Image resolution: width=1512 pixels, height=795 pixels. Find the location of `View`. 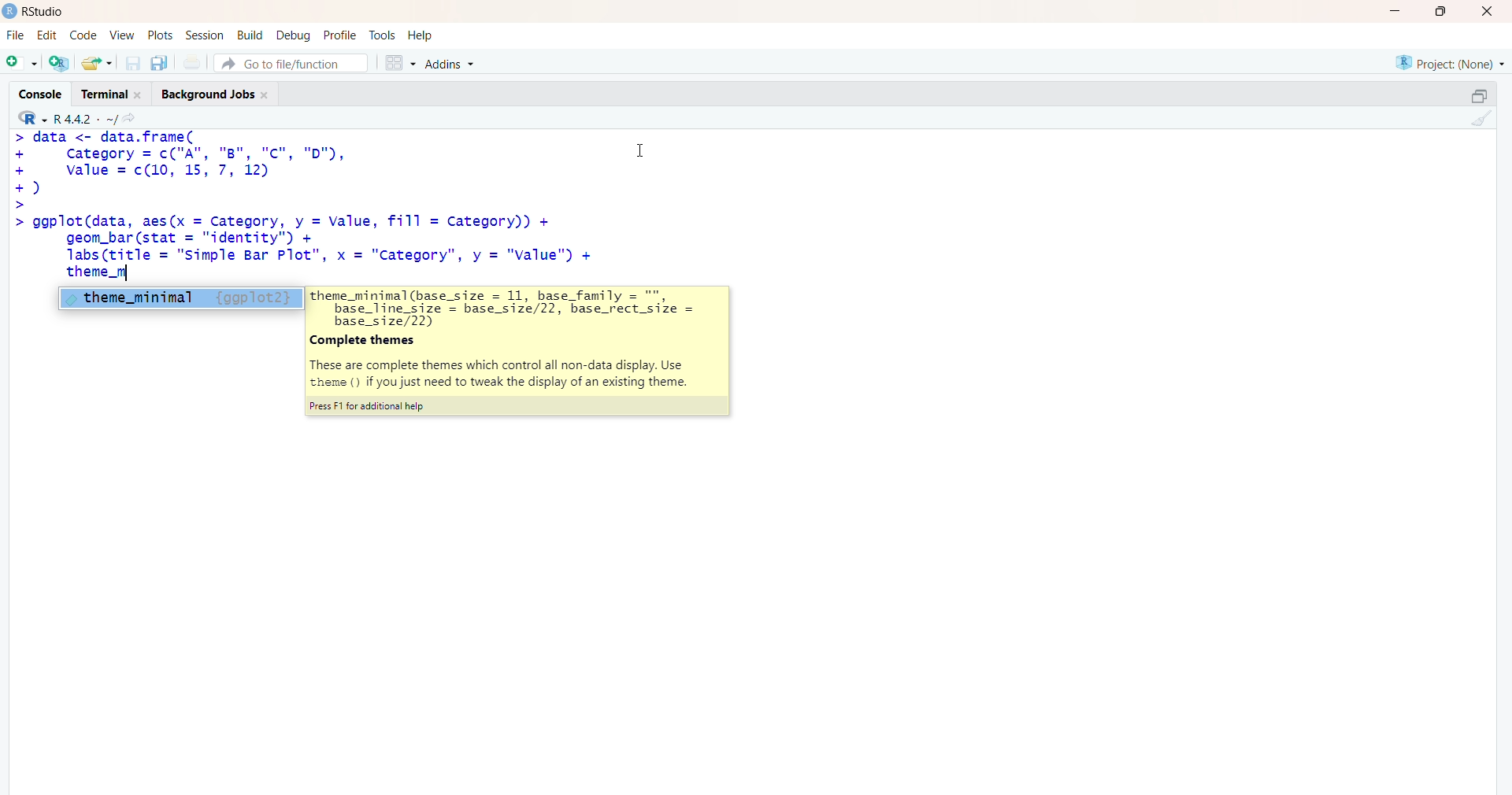

View is located at coordinates (123, 35).